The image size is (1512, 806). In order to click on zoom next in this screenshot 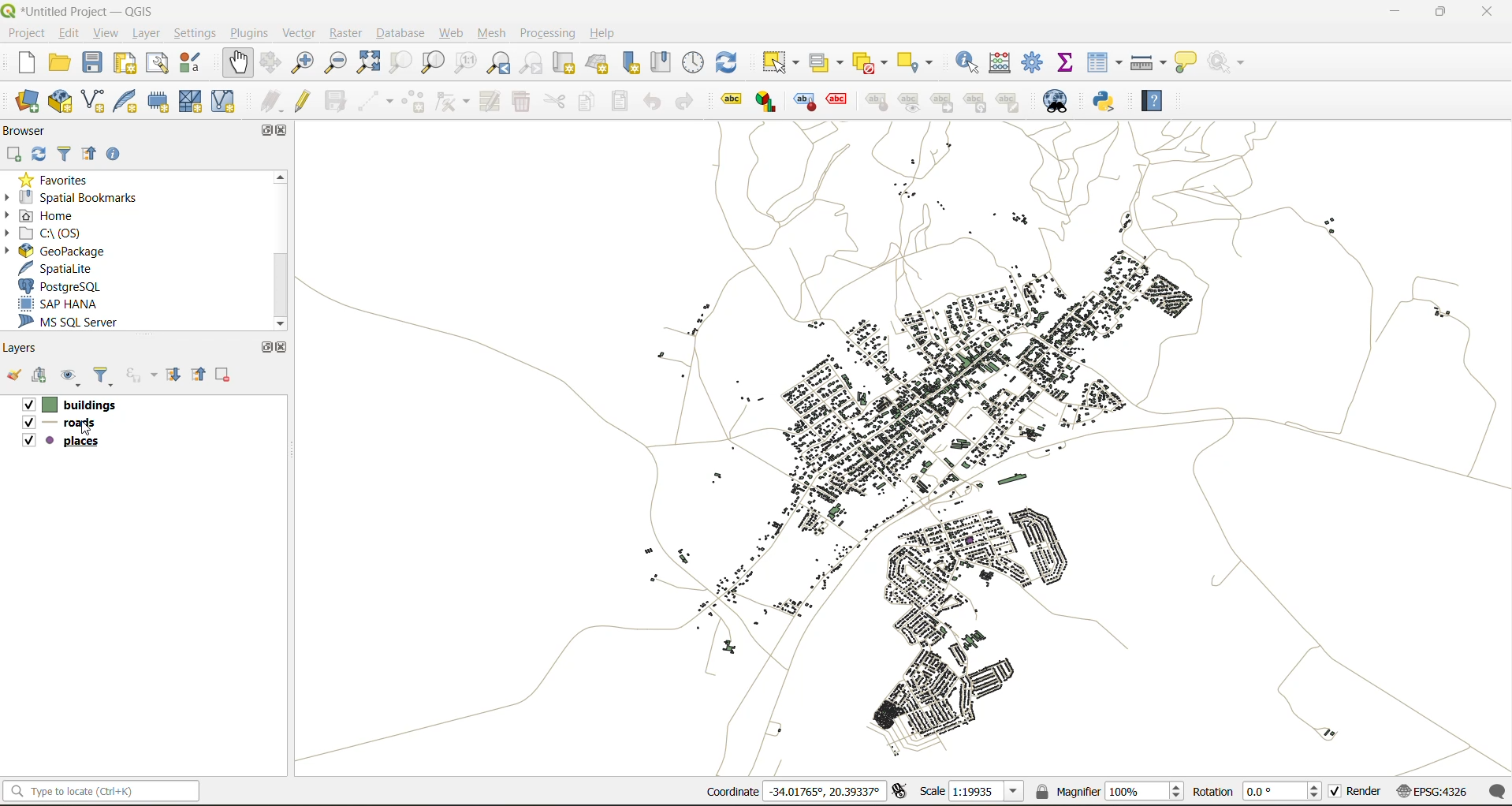, I will do `click(533, 63)`.